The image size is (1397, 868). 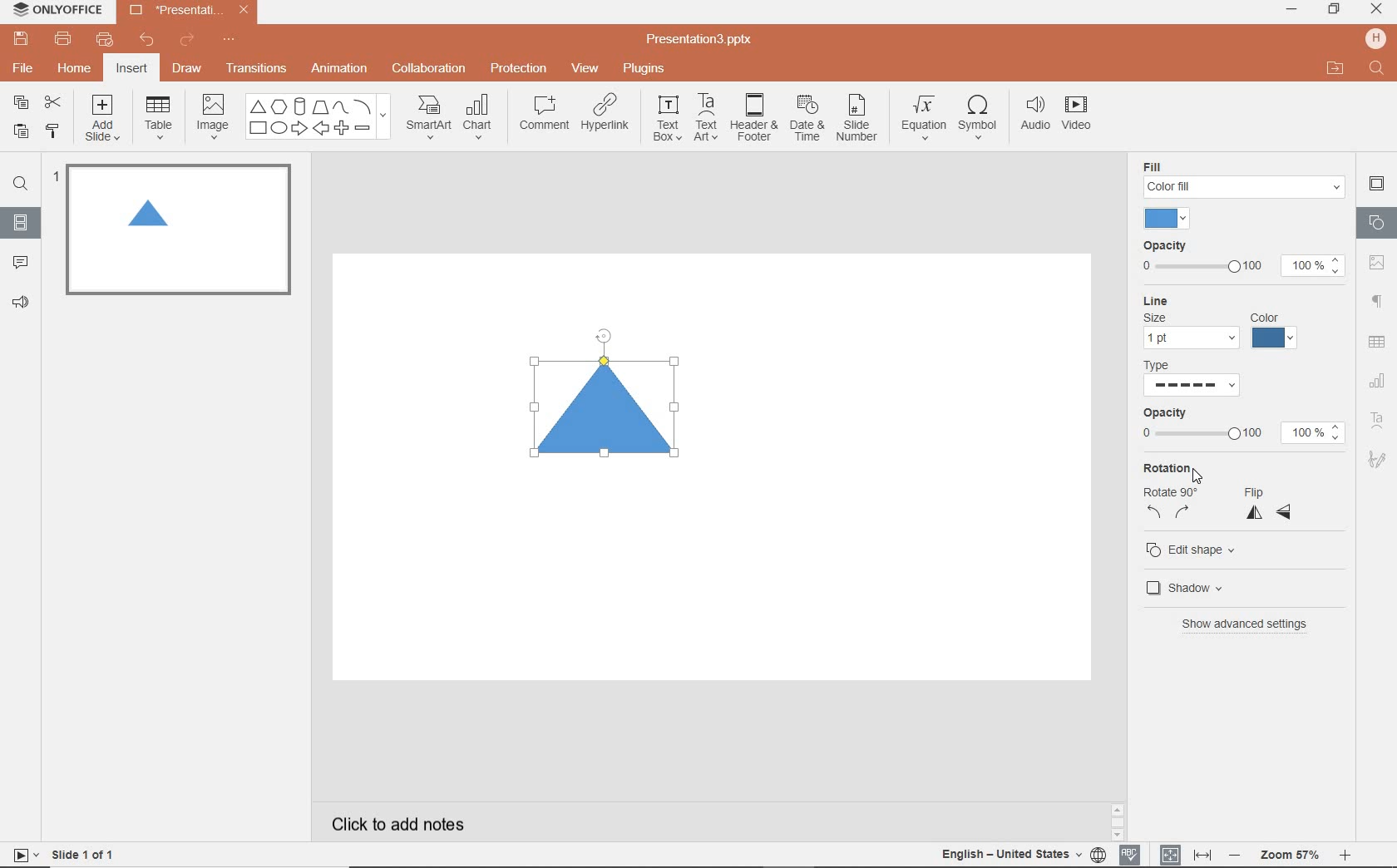 I want to click on FIND, so click(x=20, y=186).